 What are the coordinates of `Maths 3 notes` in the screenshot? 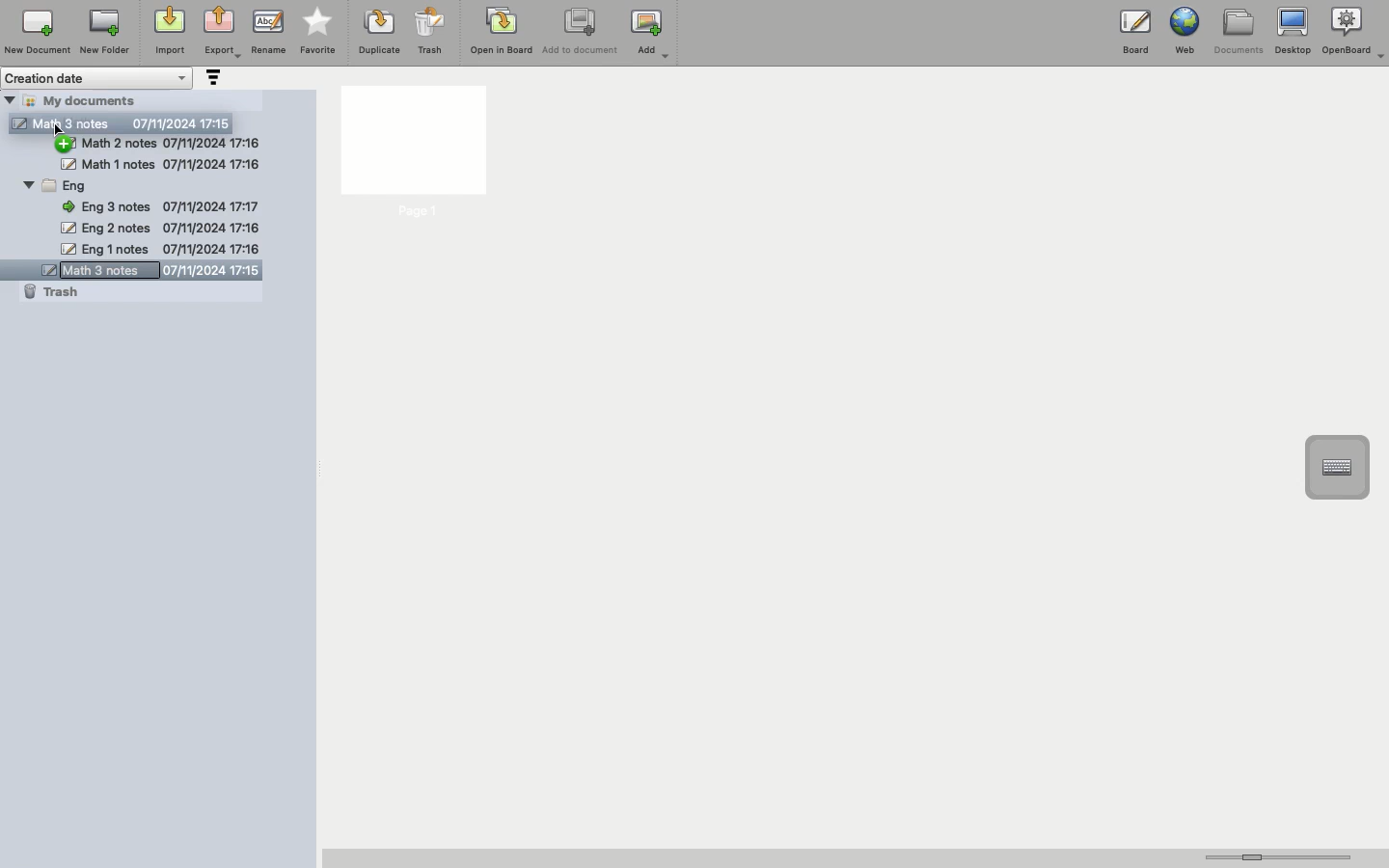 It's located at (122, 121).